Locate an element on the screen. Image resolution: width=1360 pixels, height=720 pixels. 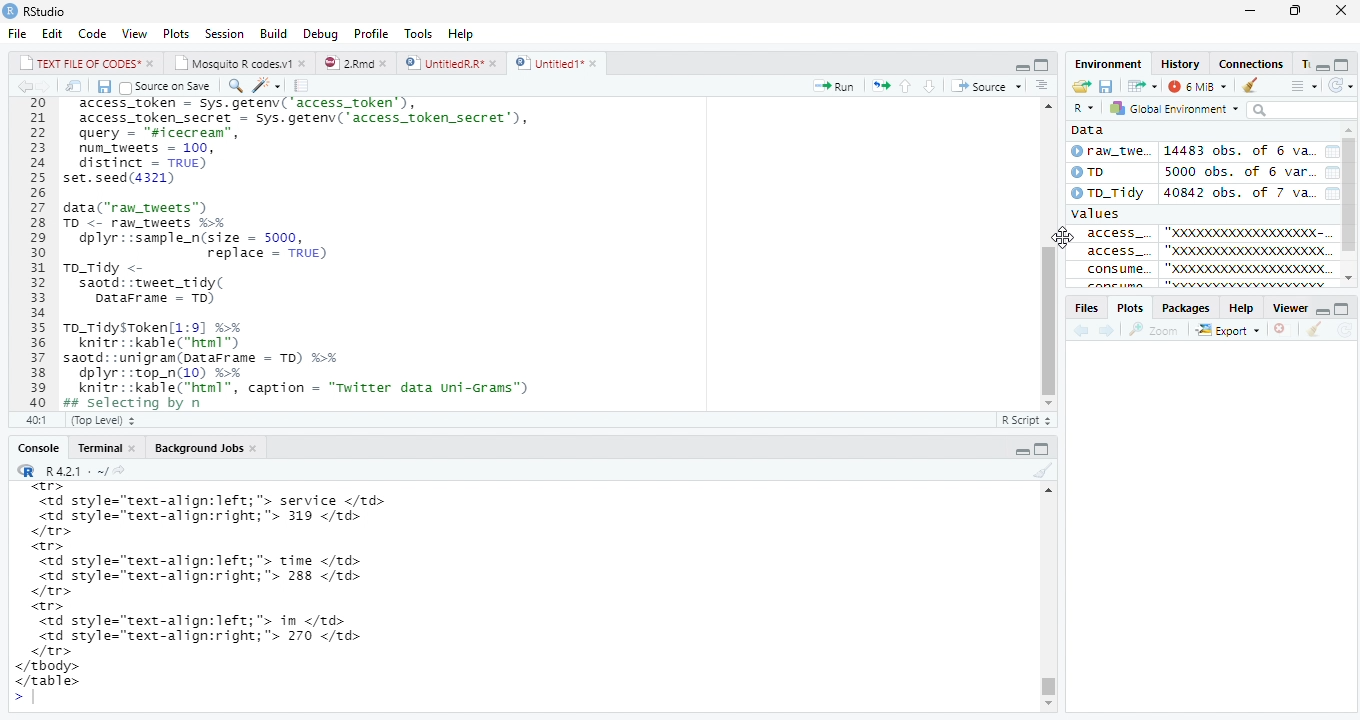
View is located at coordinates (134, 32).